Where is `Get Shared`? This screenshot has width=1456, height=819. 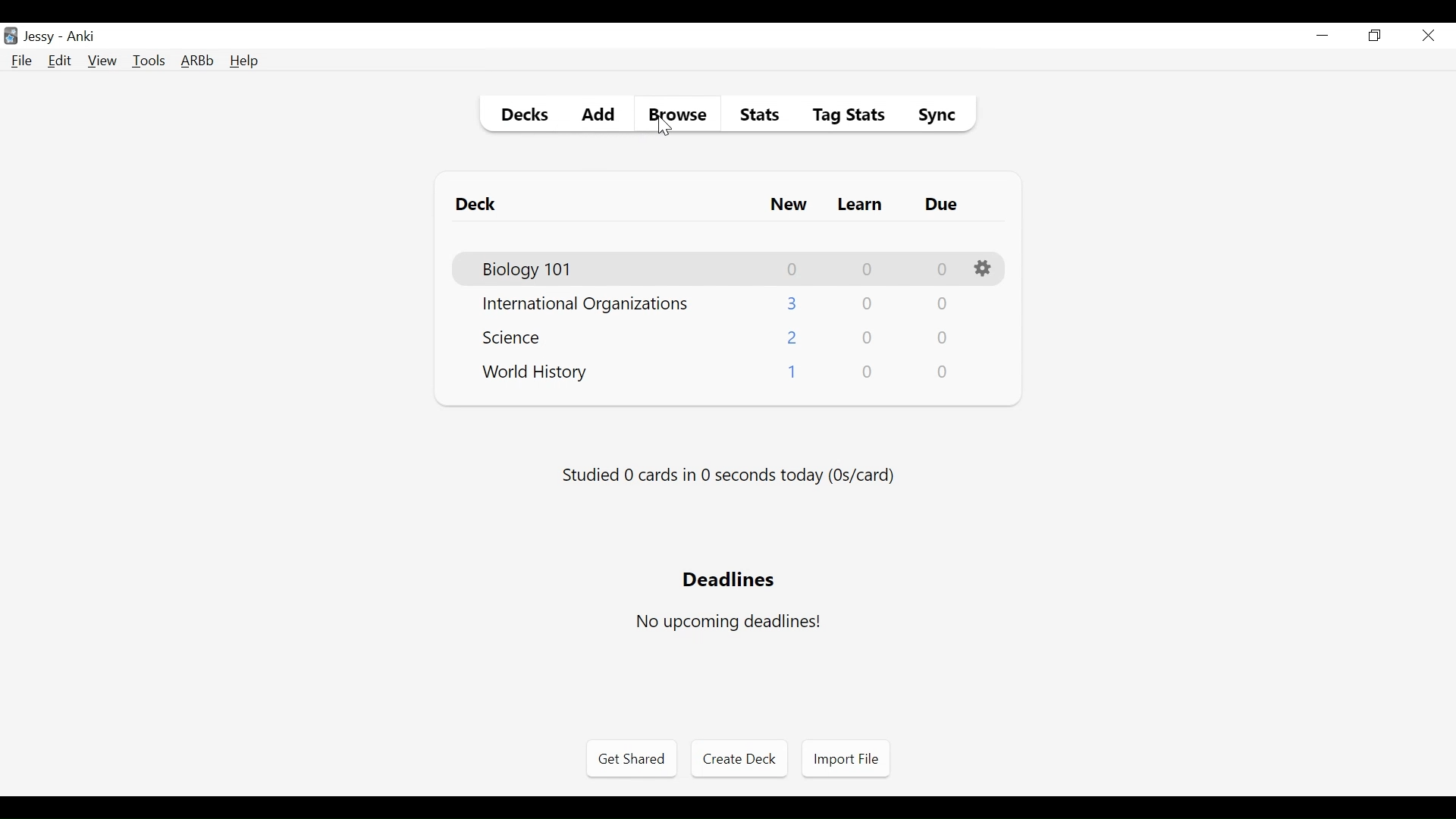
Get Shared is located at coordinates (631, 759).